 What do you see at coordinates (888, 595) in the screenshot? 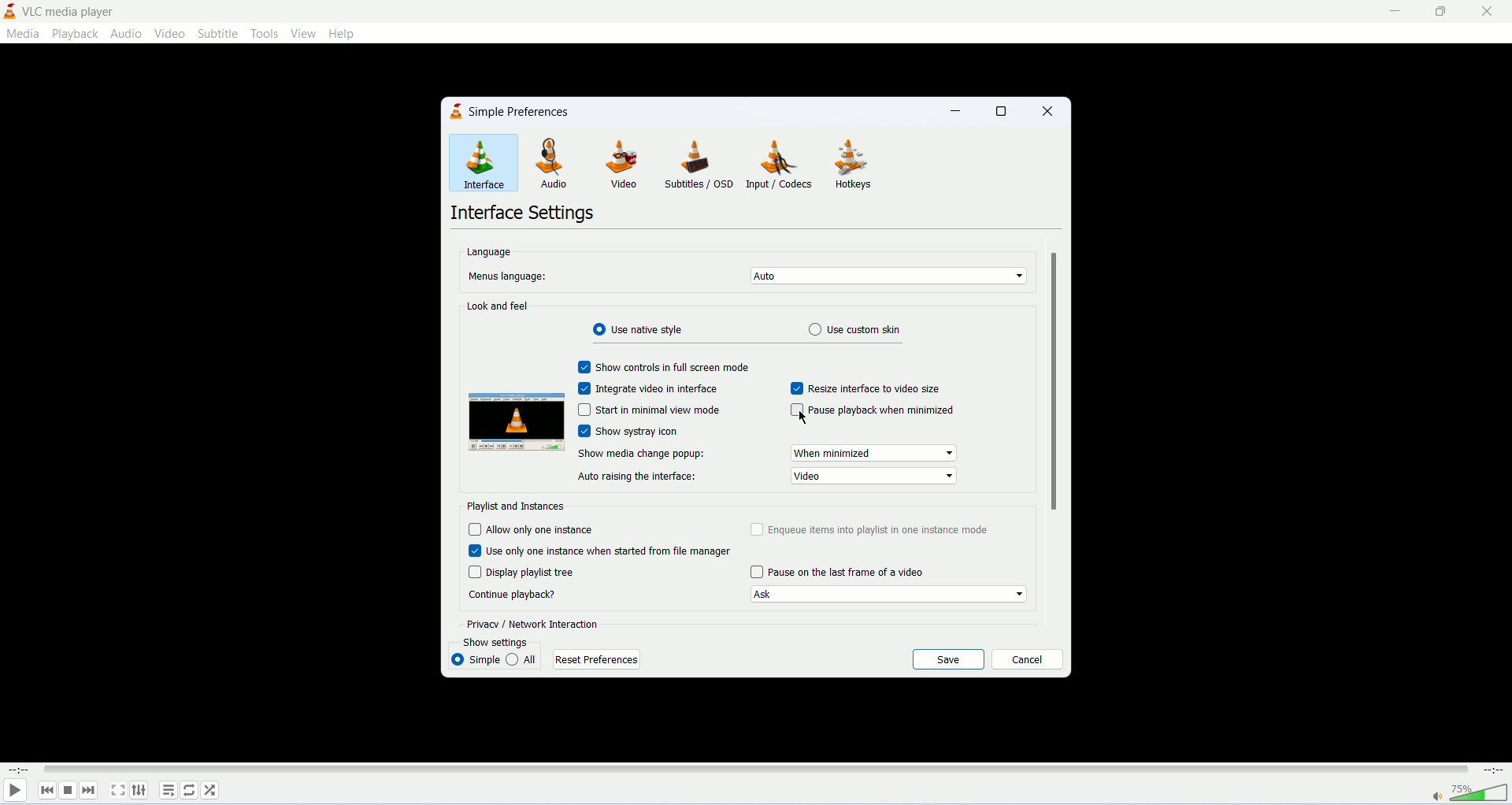
I see `ask` at bounding box center [888, 595].